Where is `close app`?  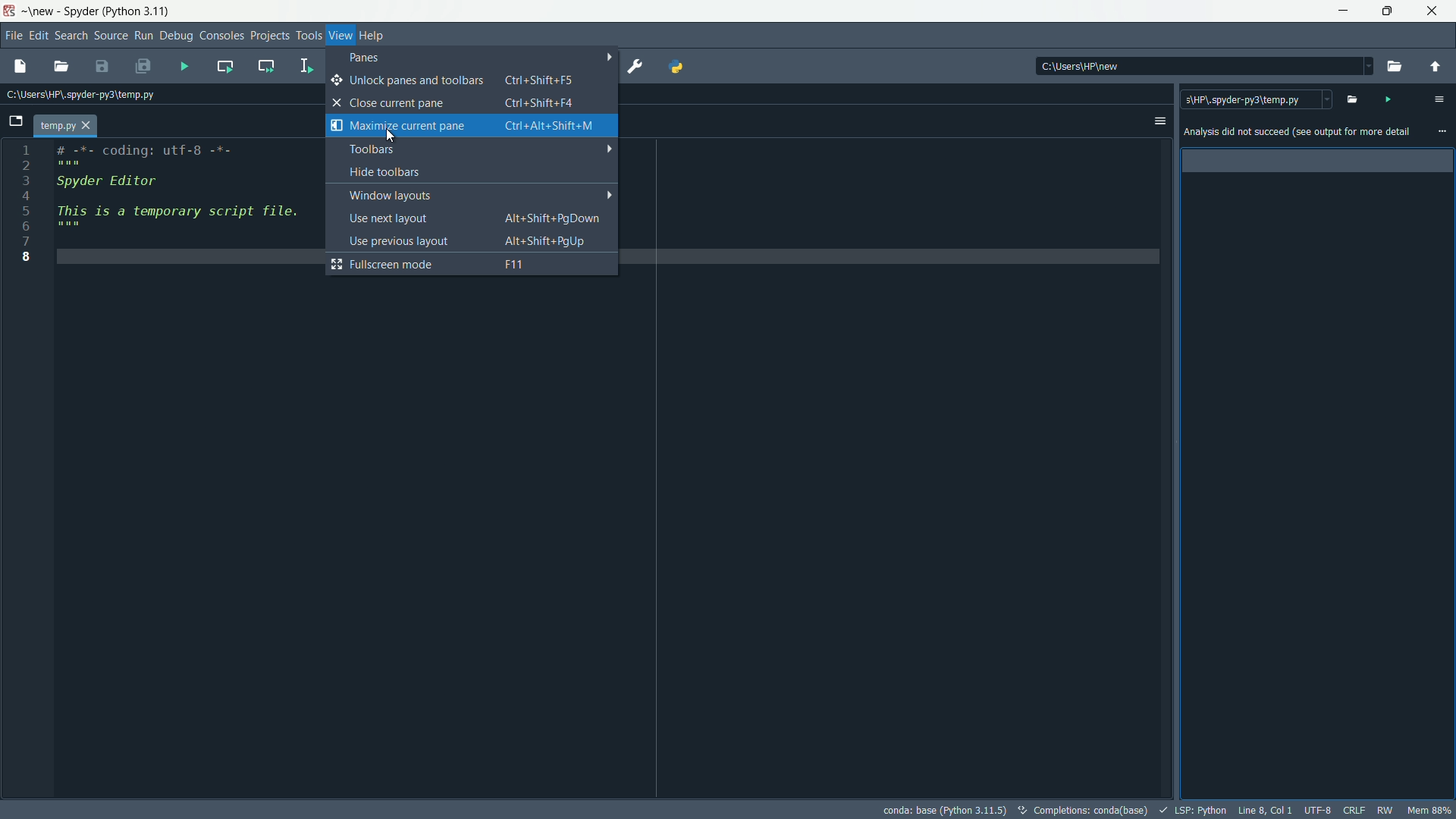
close app is located at coordinates (1435, 11).